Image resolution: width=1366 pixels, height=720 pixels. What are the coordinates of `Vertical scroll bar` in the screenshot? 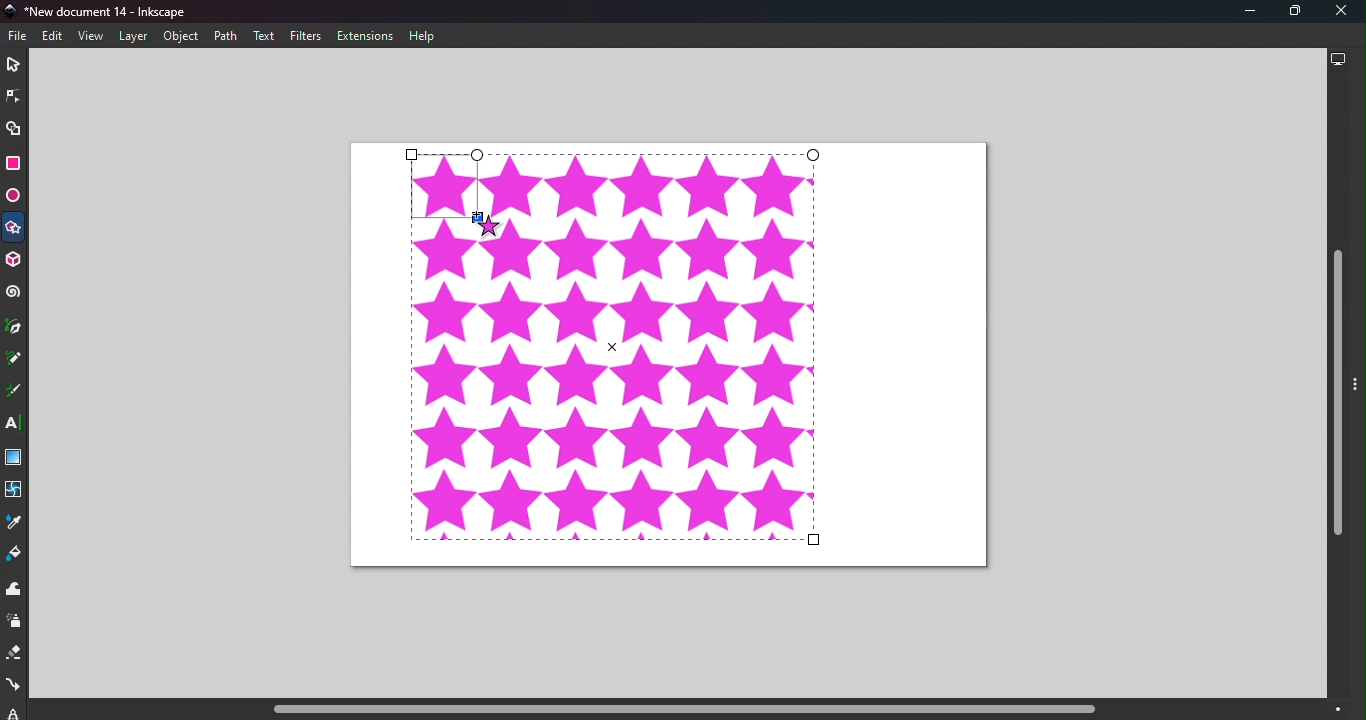 It's located at (1338, 388).